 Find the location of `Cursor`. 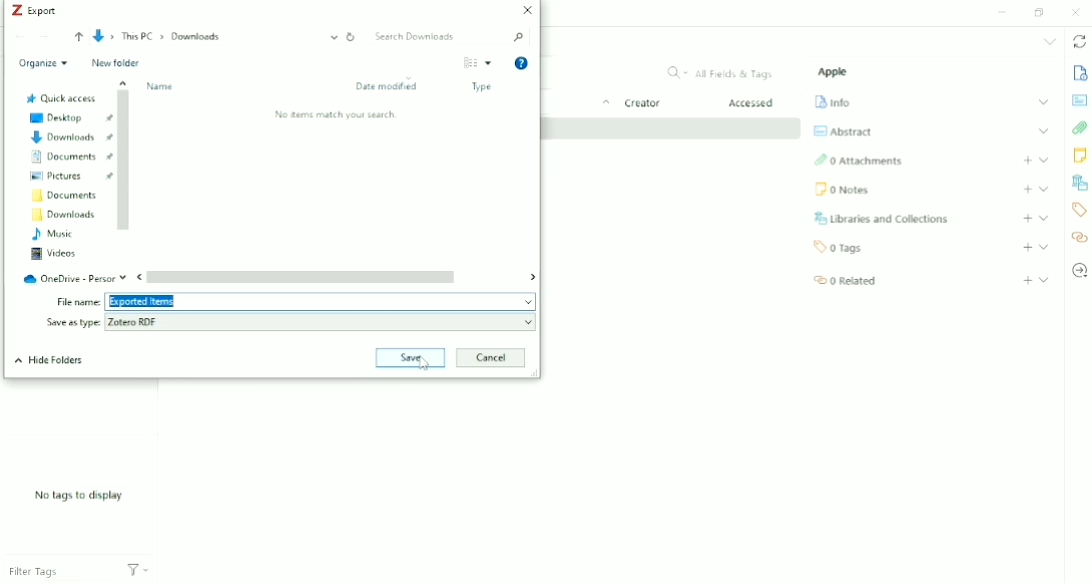

Cursor is located at coordinates (423, 364).